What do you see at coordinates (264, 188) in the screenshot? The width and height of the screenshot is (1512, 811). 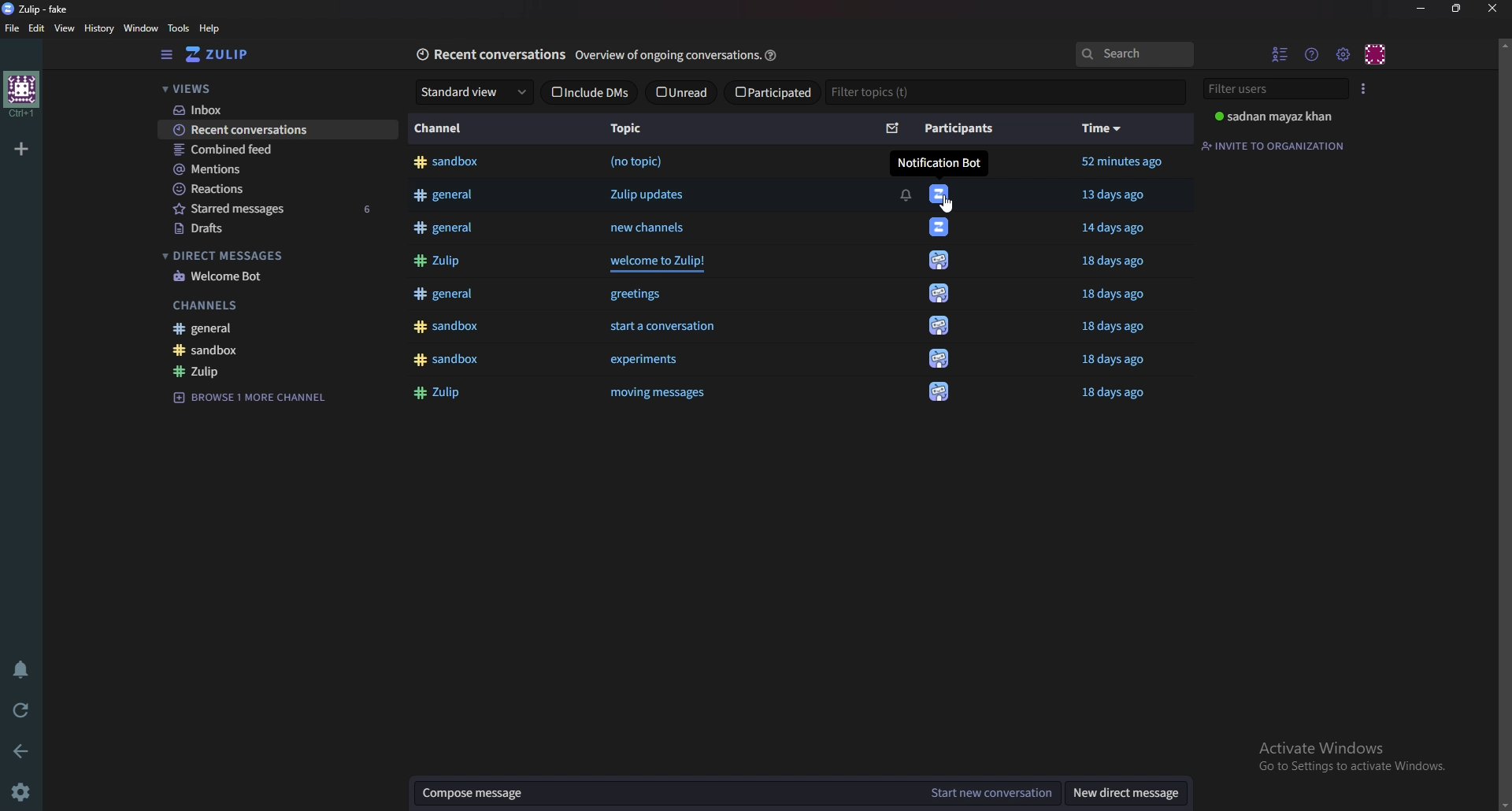 I see `reactions` at bounding box center [264, 188].